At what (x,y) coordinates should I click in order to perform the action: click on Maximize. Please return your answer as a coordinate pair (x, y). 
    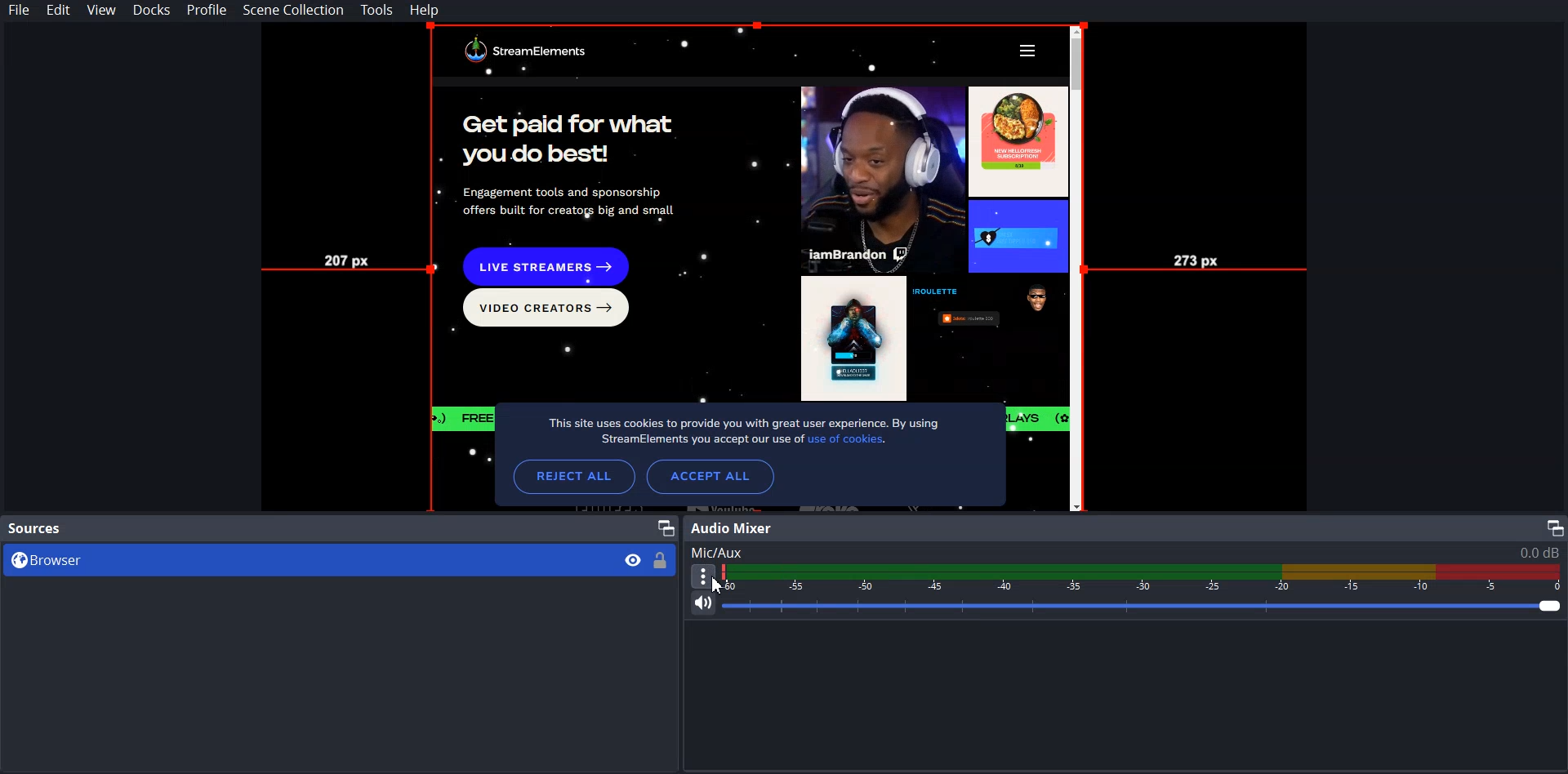
    Looking at the image, I should click on (666, 527).